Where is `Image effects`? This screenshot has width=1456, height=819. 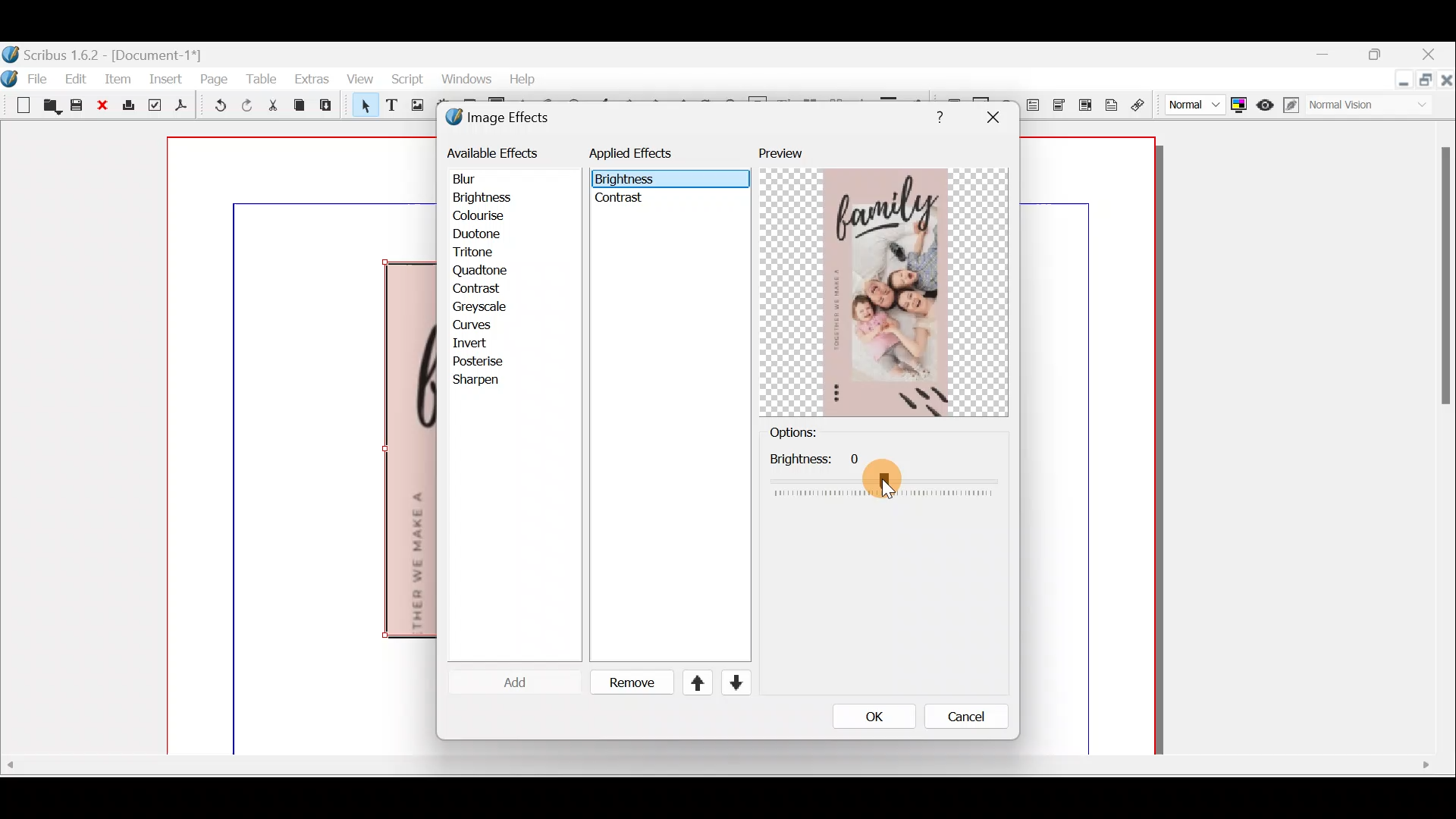 Image effects is located at coordinates (507, 119).